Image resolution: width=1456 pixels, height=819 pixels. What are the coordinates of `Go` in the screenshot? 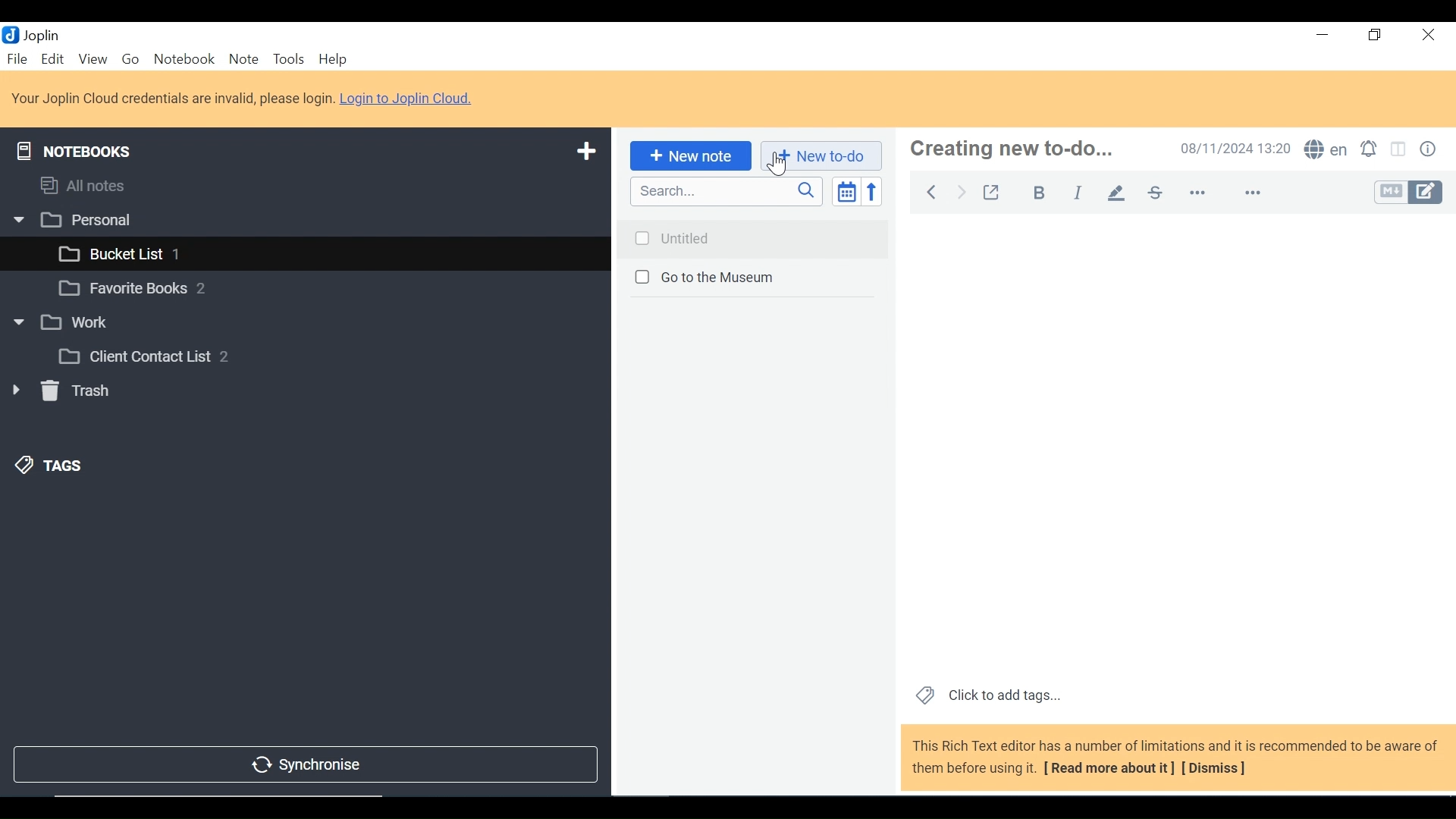 It's located at (133, 61).